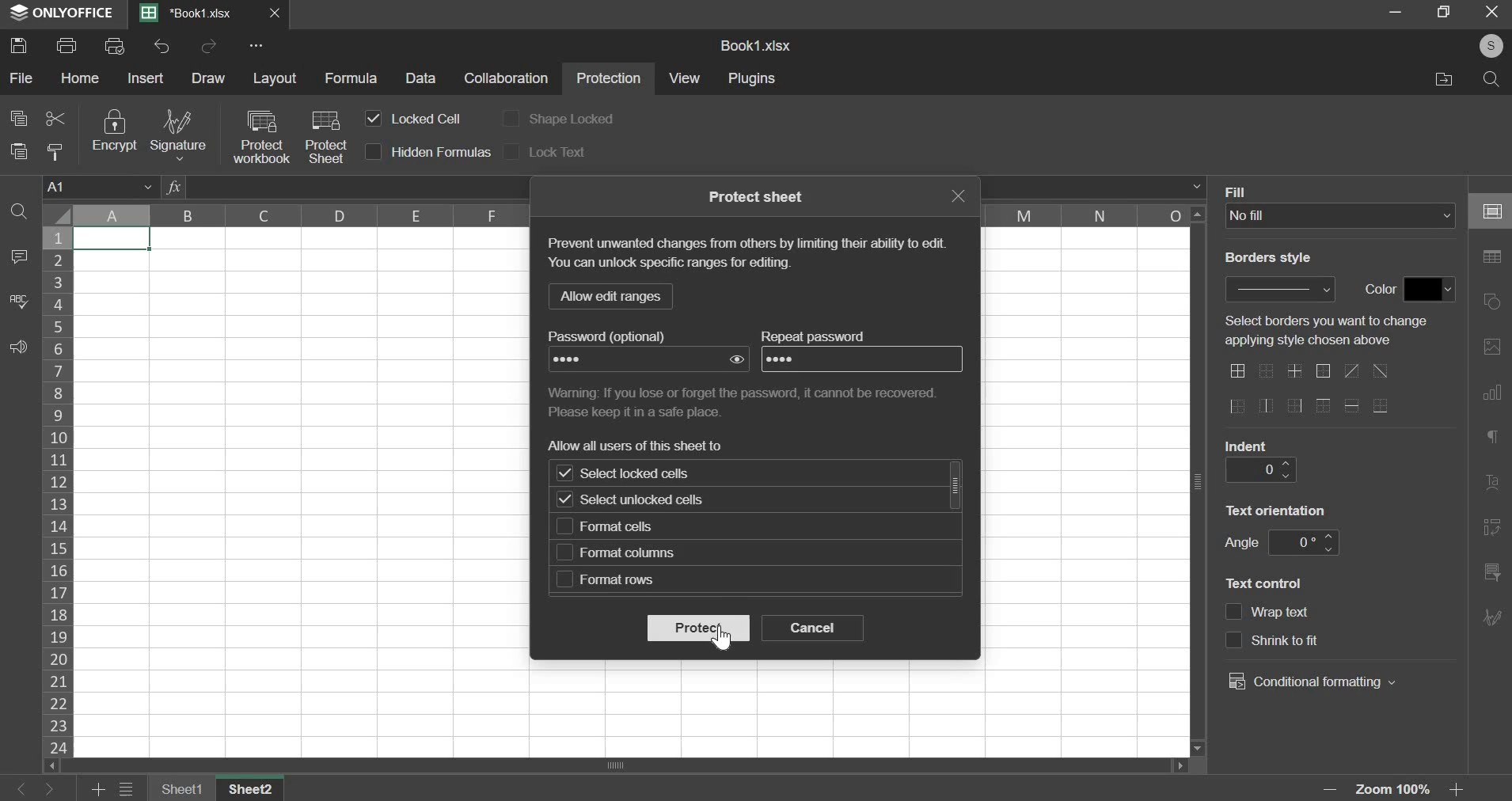 The width and height of the screenshot is (1512, 801). What do you see at coordinates (1266, 406) in the screenshot?
I see `border options` at bounding box center [1266, 406].